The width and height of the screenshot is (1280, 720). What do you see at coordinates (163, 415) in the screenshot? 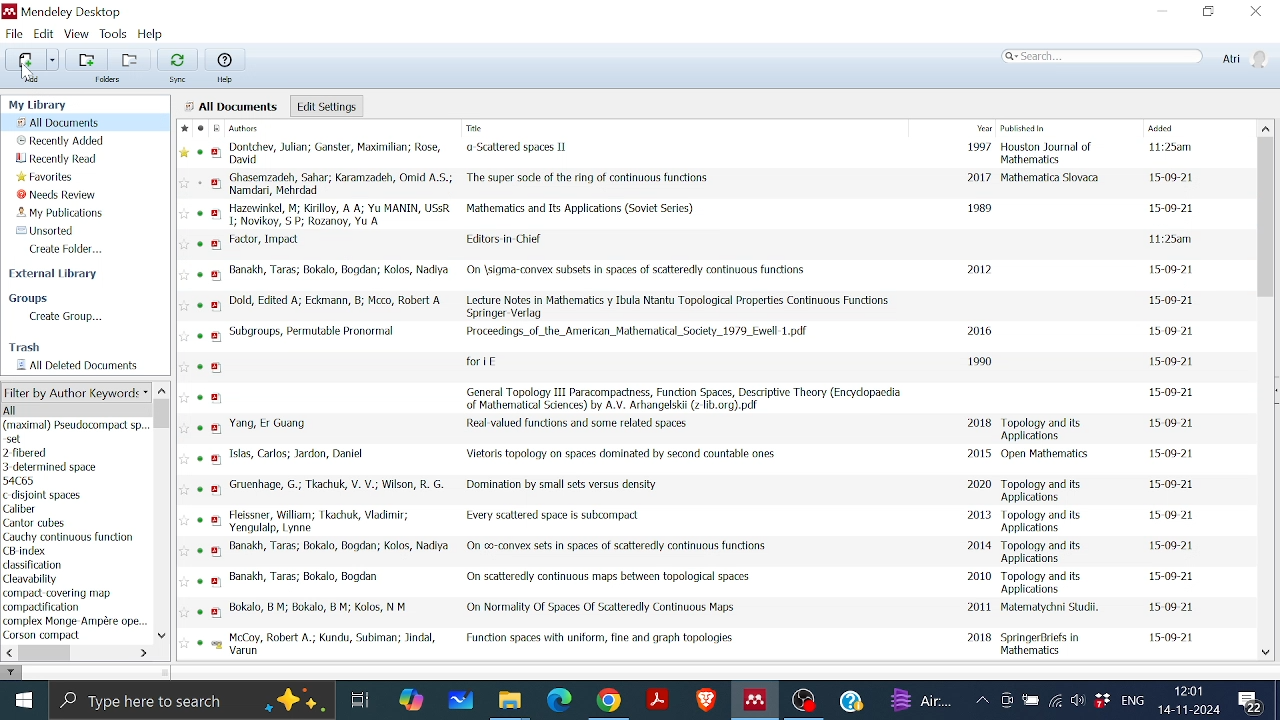
I see `Vertical scrollbar for filter by author keyword` at bounding box center [163, 415].